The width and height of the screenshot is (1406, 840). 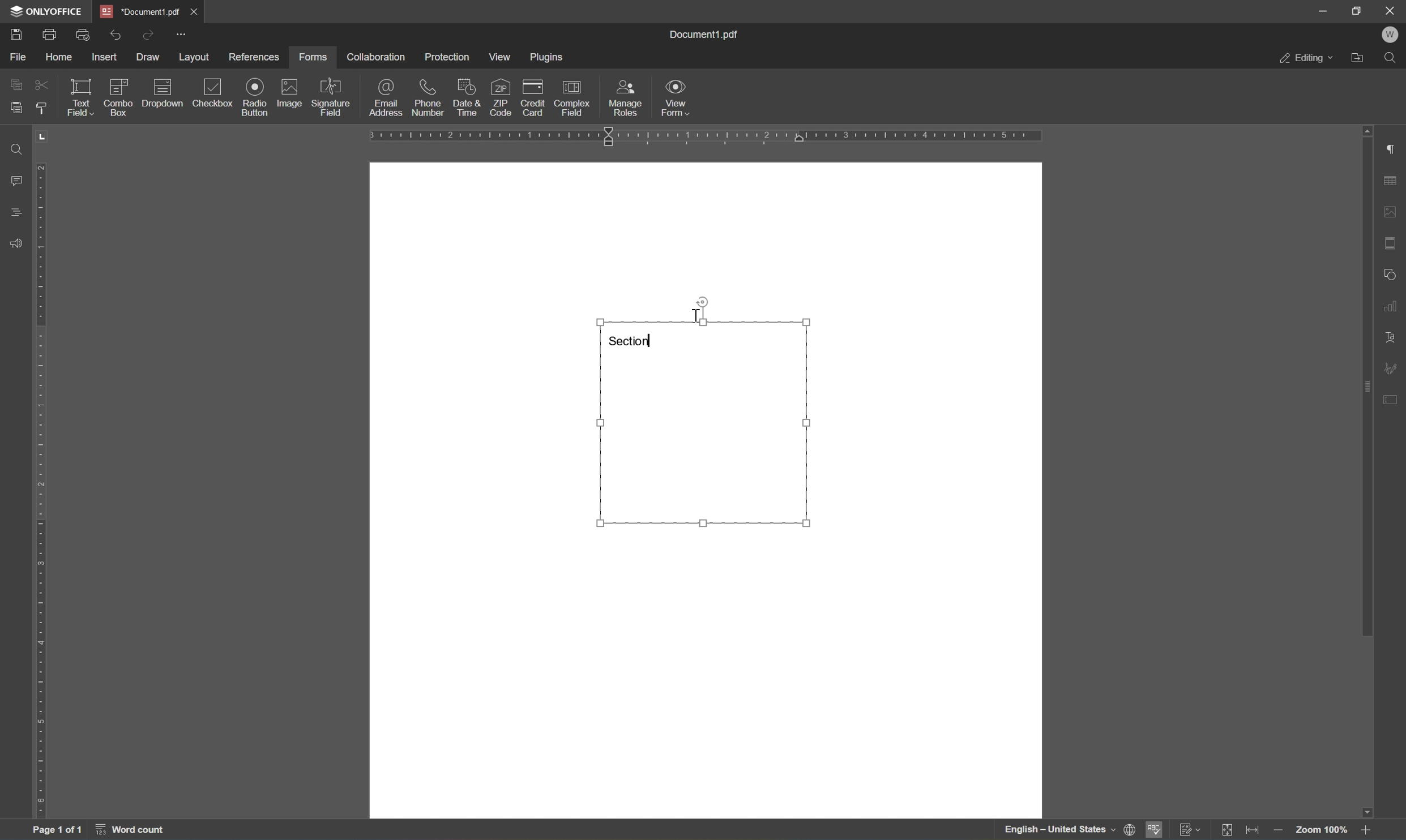 What do you see at coordinates (549, 58) in the screenshot?
I see `plugins` at bounding box center [549, 58].